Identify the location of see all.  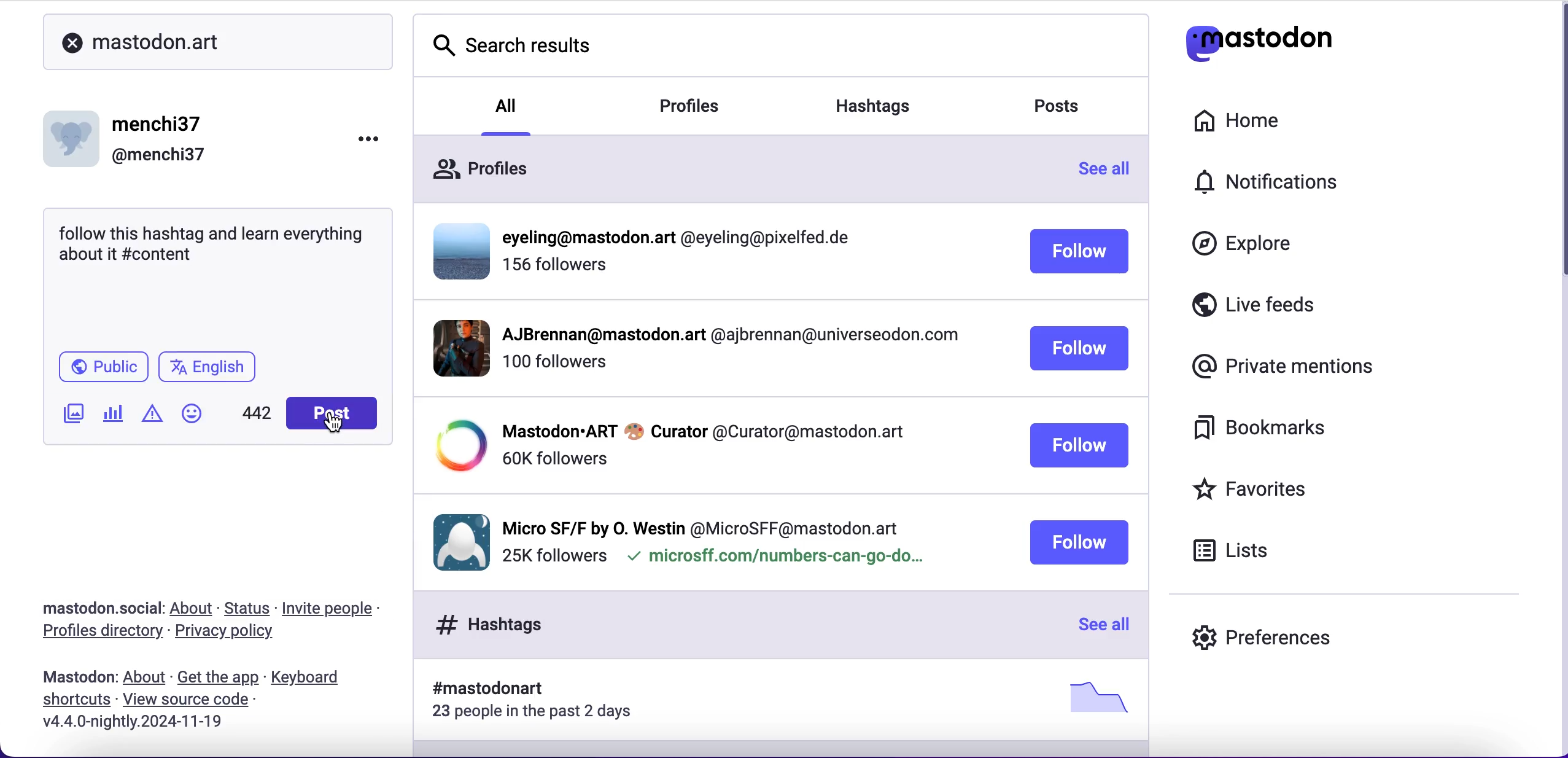
(1101, 626).